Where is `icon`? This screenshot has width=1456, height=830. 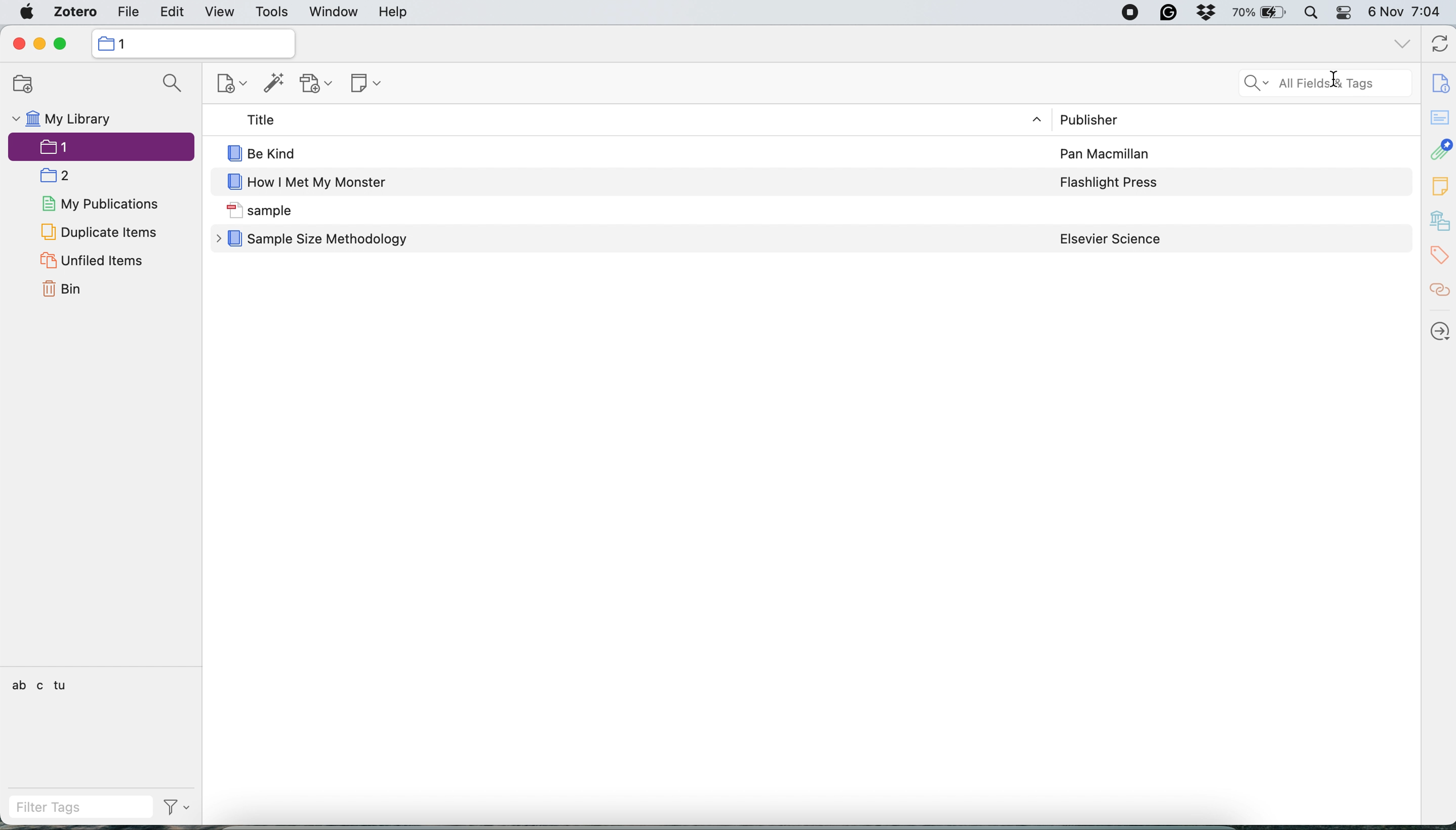 icon is located at coordinates (107, 44).